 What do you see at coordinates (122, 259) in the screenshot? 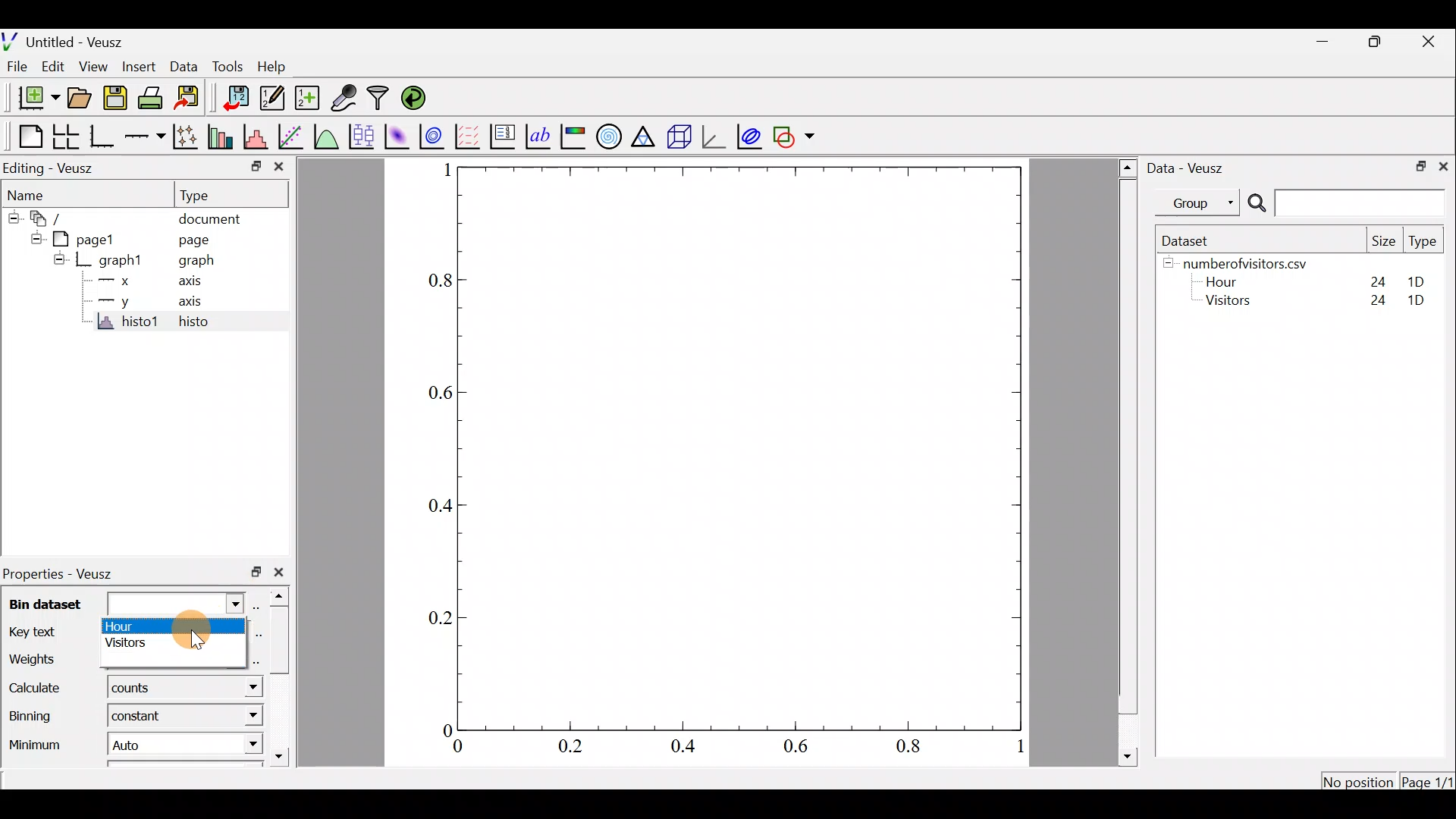
I see `graph1` at bounding box center [122, 259].